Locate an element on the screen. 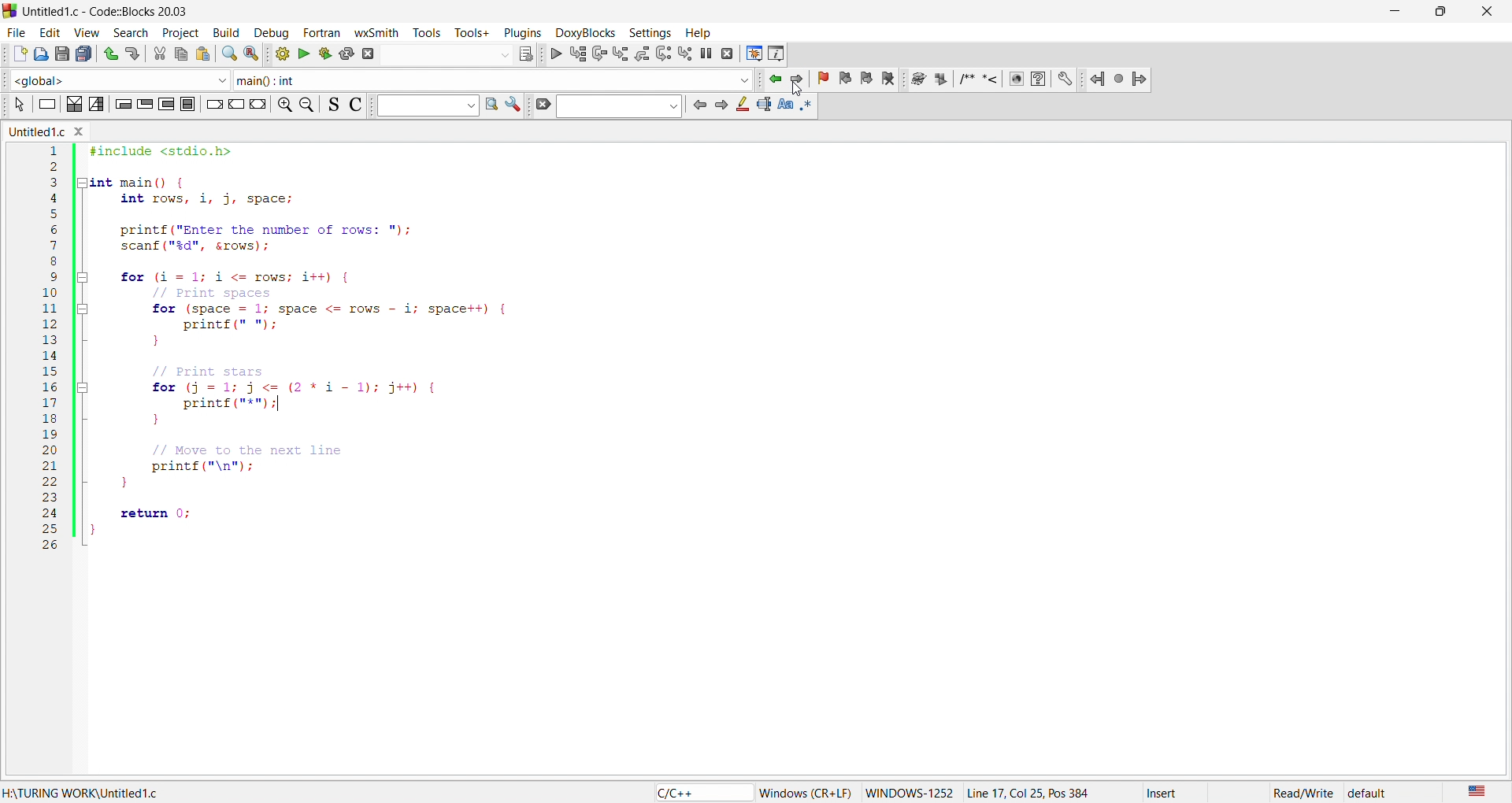  build is located at coordinates (225, 31).